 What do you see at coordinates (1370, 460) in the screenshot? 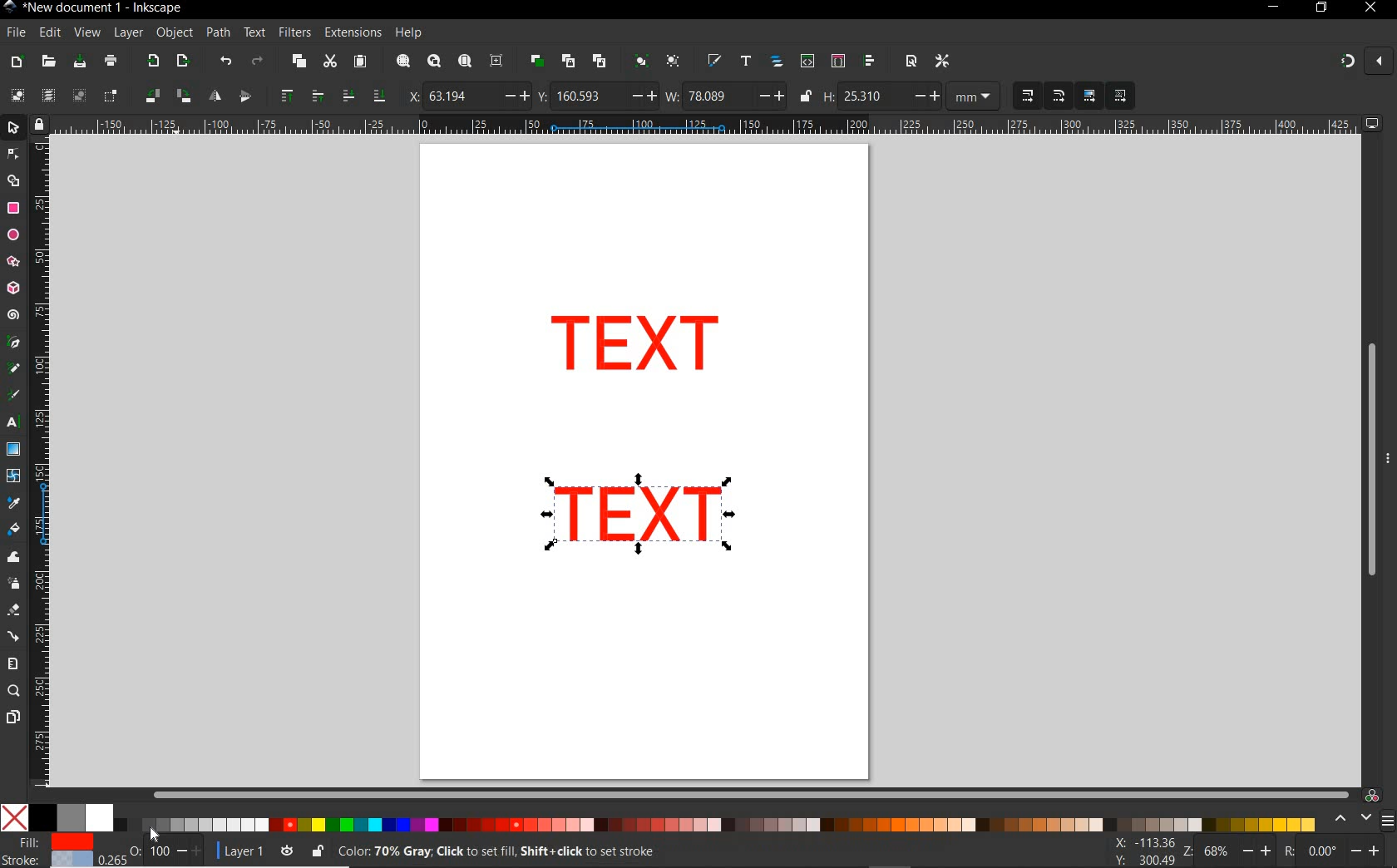
I see `scrollbar` at bounding box center [1370, 460].